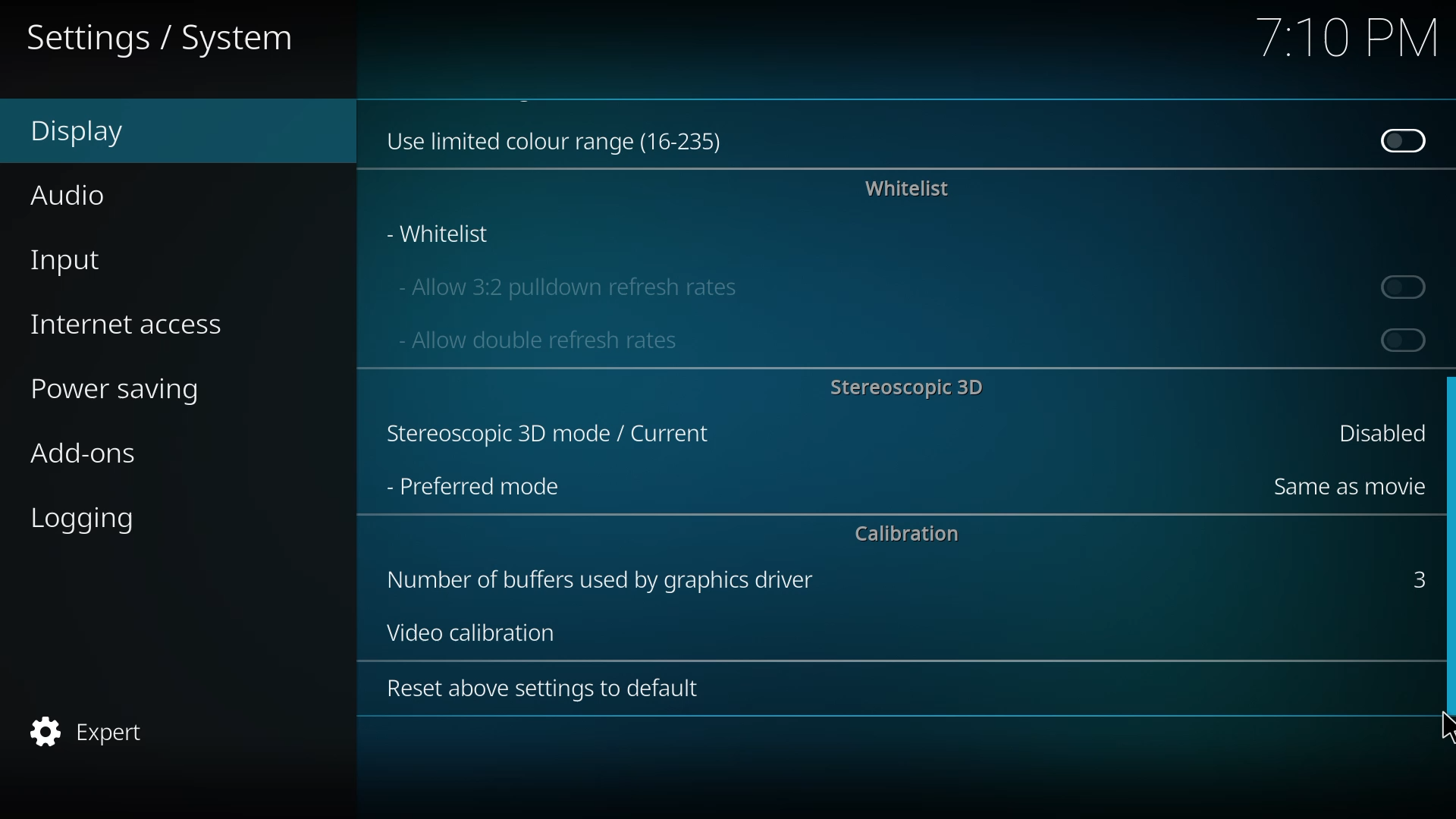 This screenshot has height=819, width=1456. Describe the element at coordinates (1439, 728) in the screenshot. I see `cursor` at that location.